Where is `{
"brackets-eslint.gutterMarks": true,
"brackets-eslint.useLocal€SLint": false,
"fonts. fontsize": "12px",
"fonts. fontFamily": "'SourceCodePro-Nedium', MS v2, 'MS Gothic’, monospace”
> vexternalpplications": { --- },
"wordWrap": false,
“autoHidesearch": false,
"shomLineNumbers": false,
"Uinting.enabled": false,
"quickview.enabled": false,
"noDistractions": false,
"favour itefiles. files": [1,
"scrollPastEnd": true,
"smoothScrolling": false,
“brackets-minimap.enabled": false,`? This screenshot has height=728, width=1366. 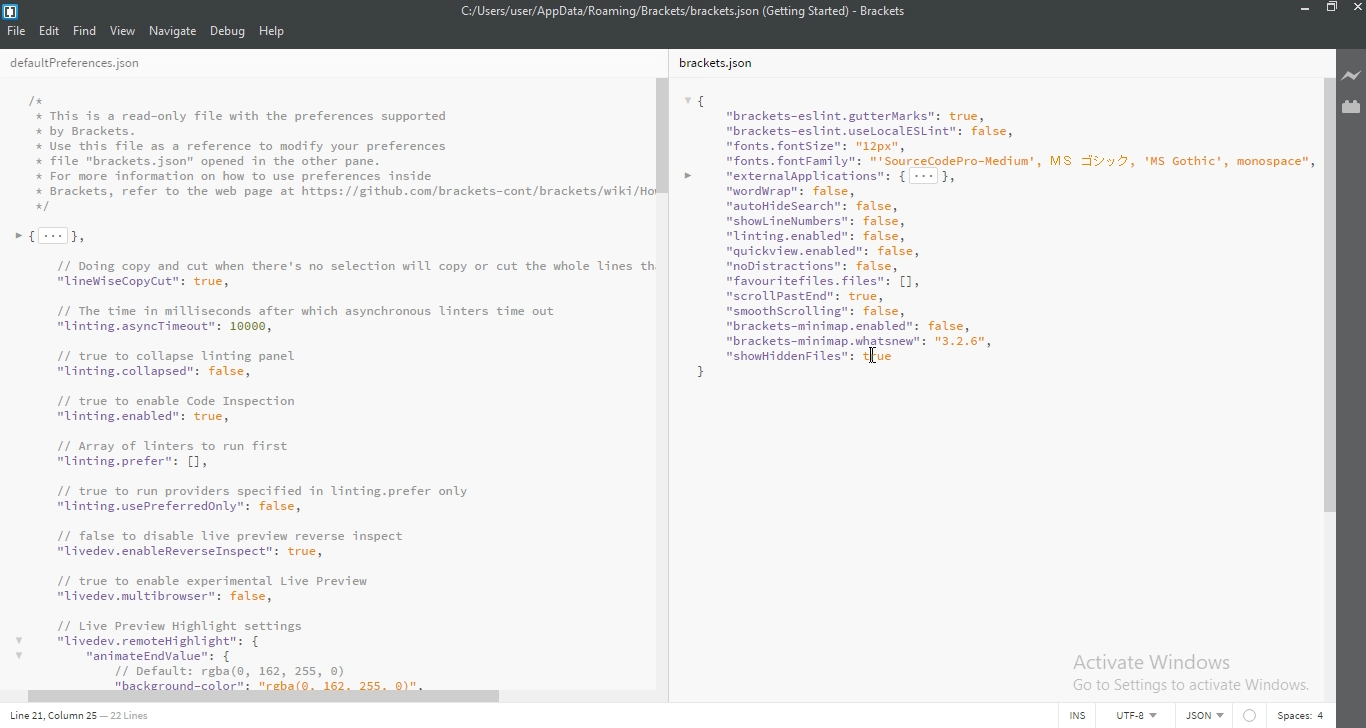
{
"brackets-eslint.gutterMarks": true,
"brackets-eslint.useLocal€SLint": false,
"fonts. fontsize": "12px",
"fonts. fontFamily": "'SourceCodePro-Nedium', MS v2, 'MS Gothic’, monospace”
> vexternalpplications": { --- },
"wordWrap": false,
“autoHidesearch": false,
"shomLineNumbers": false,
"Uinting.enabled": false,
"quickview.enabled": false,
"noDistractions": false,
"favour itefiles. files": [1,
"scrollPastEnd": true,
"smoothScrolling": false,
“brackets-minimap.enabled": false, is located at coordinates (992, 234).